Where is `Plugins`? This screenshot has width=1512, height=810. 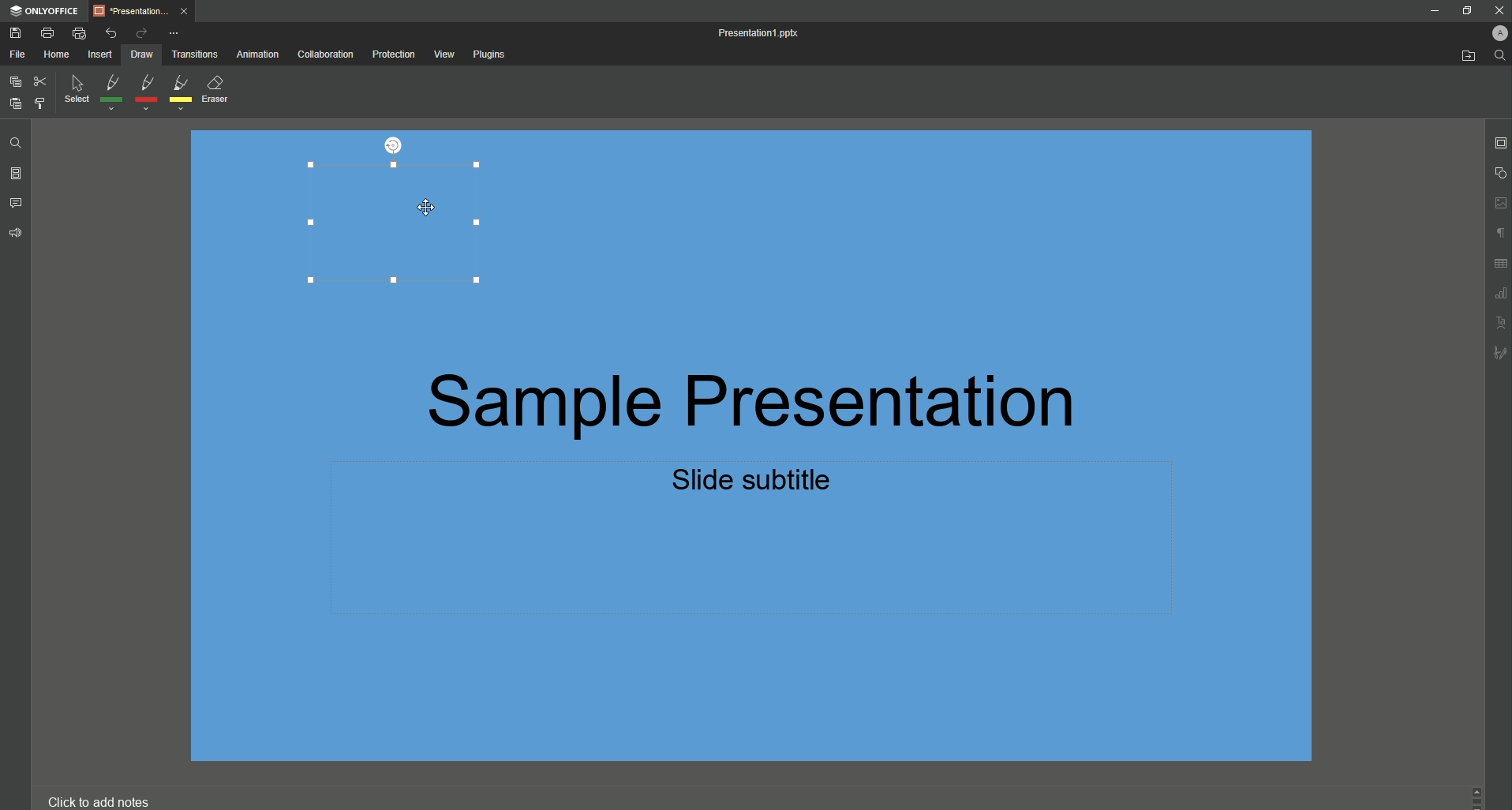
Plugins is located at coordinates (492, 55).